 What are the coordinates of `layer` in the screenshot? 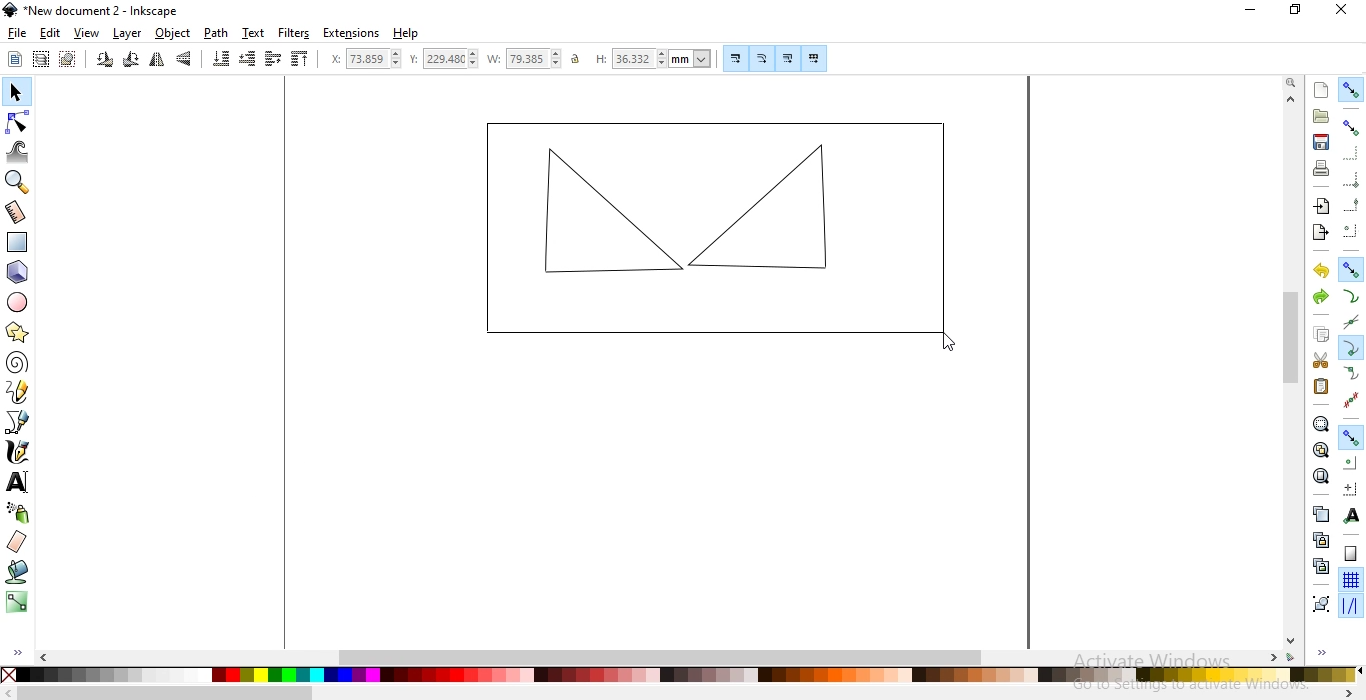 It's located at (128, 33).